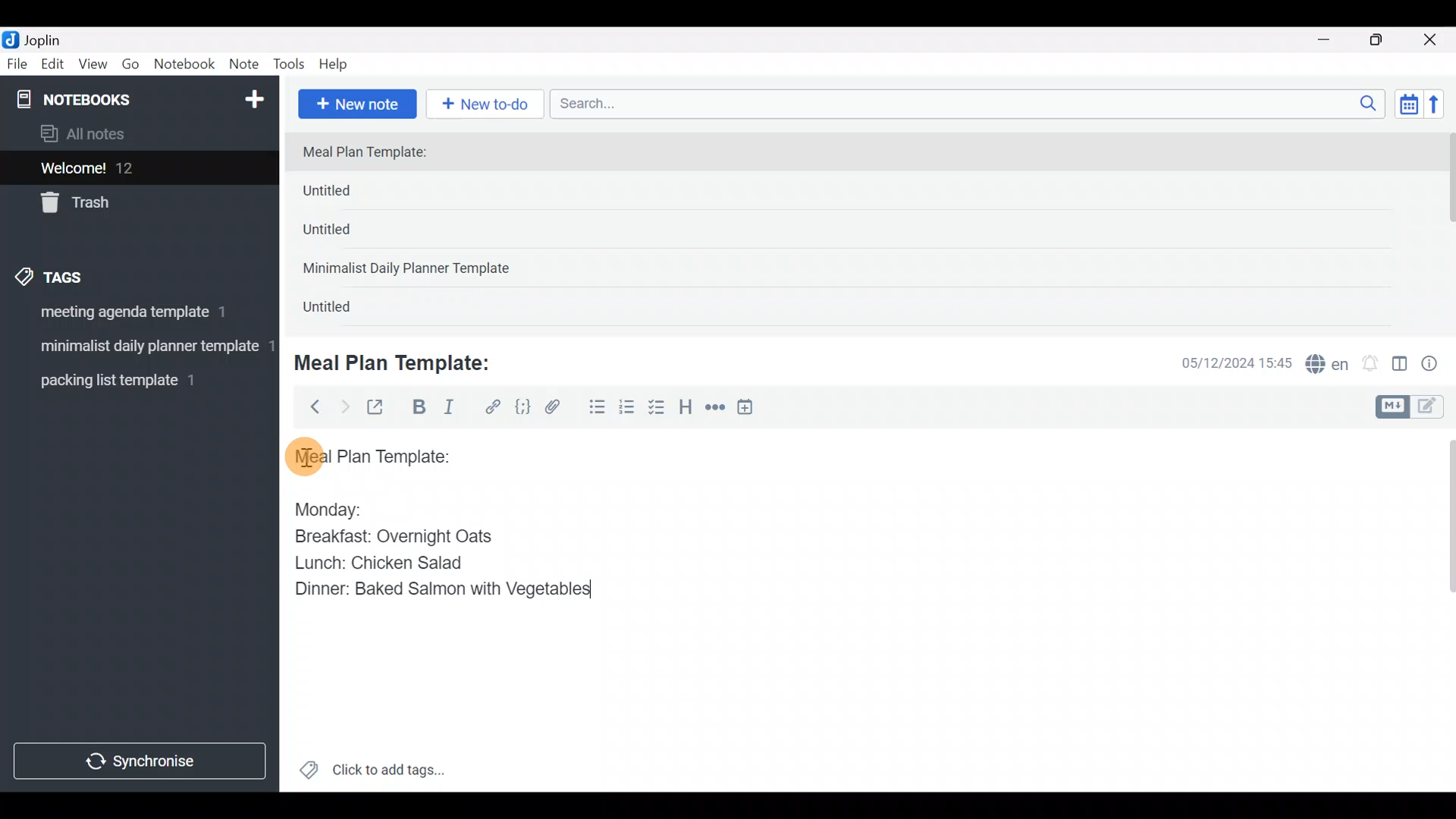  Describe the element at coordinates (377, 563) in the screenshot. I see `Lunch: Chicken Salad` at that location.